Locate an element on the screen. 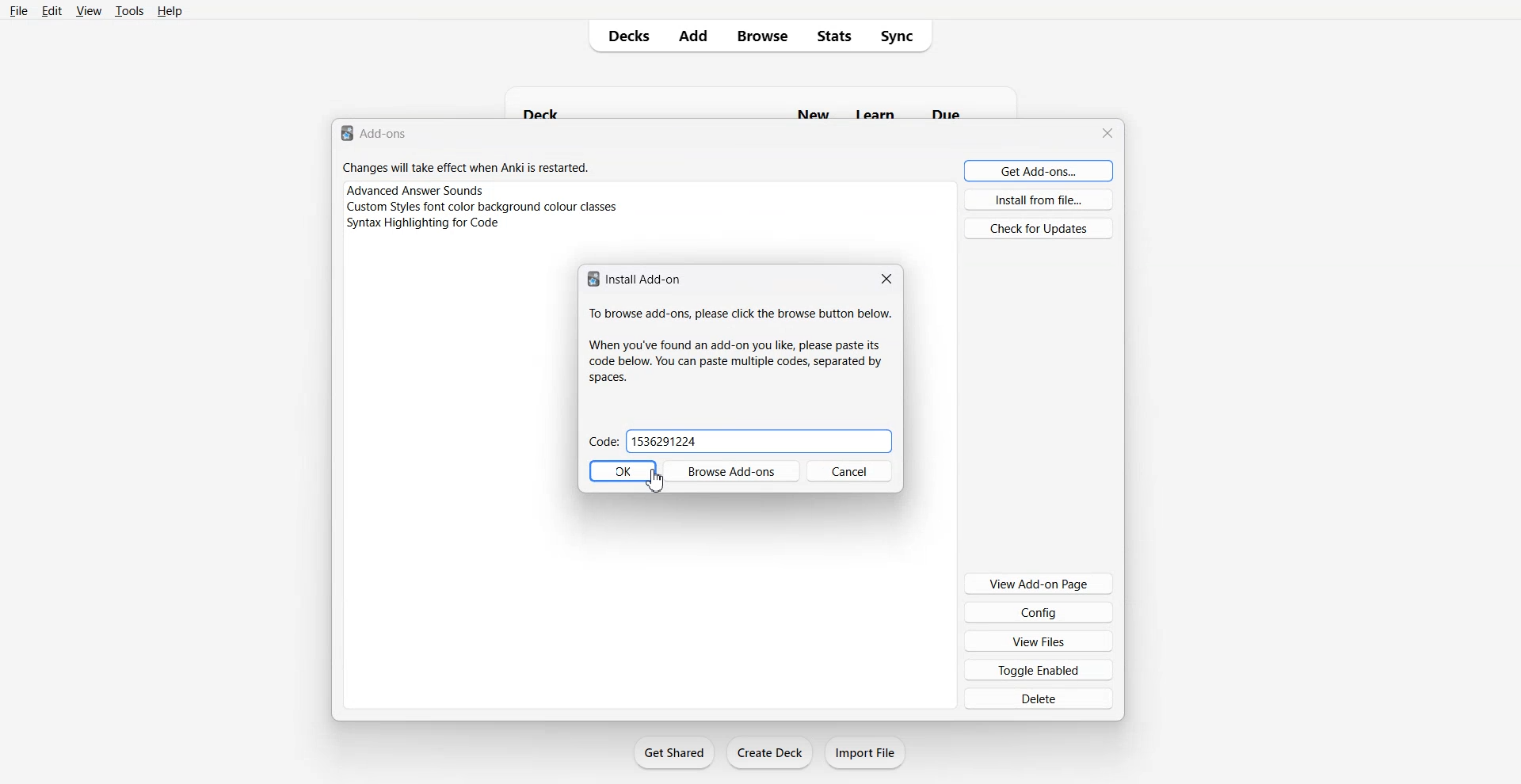 Image resolution: width=1521 pixels, height=784 pixels. Config is located at coordinates (1039, 611).